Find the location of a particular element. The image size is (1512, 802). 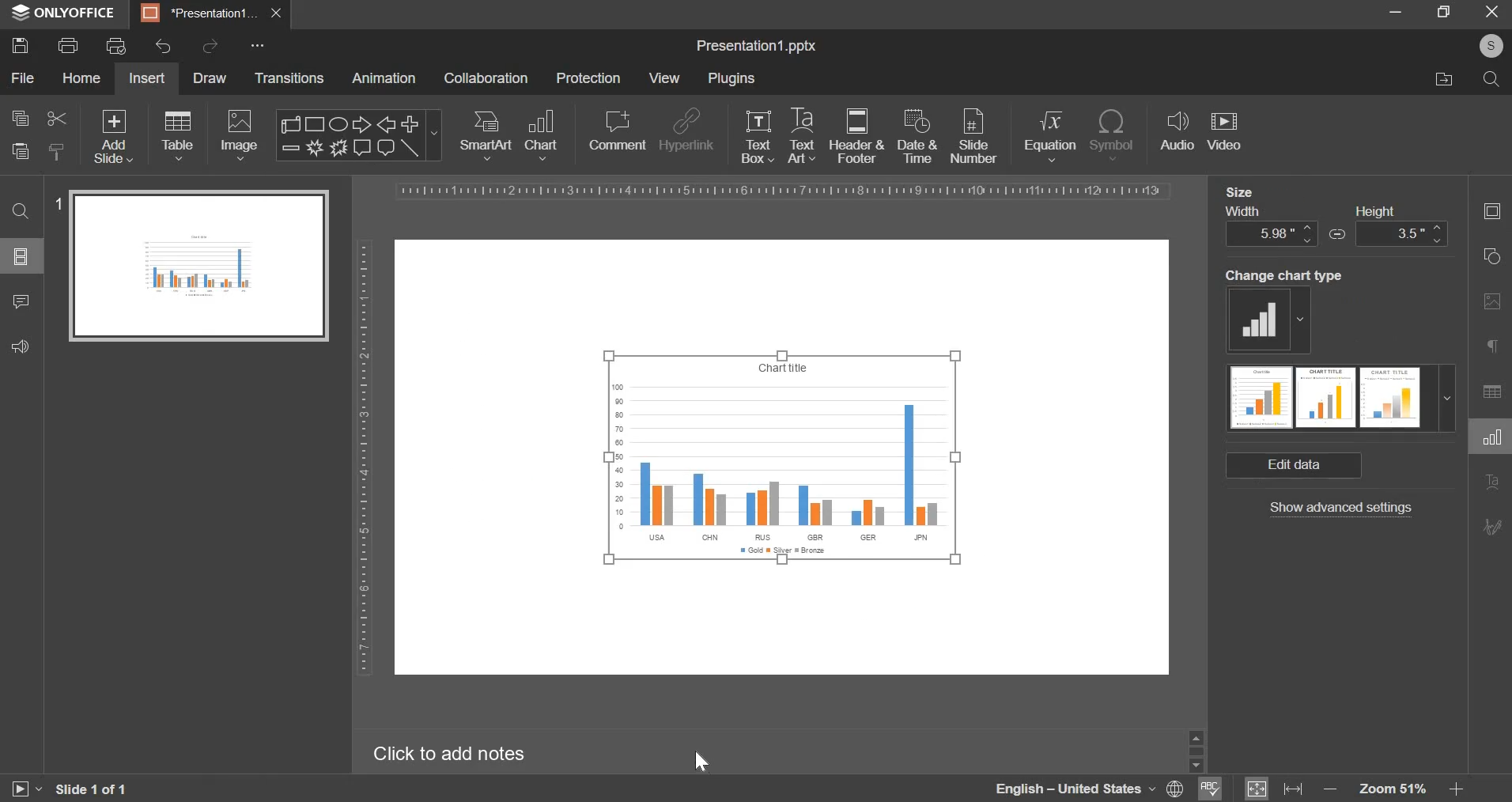

profile is located at coordinates (1490, 44).